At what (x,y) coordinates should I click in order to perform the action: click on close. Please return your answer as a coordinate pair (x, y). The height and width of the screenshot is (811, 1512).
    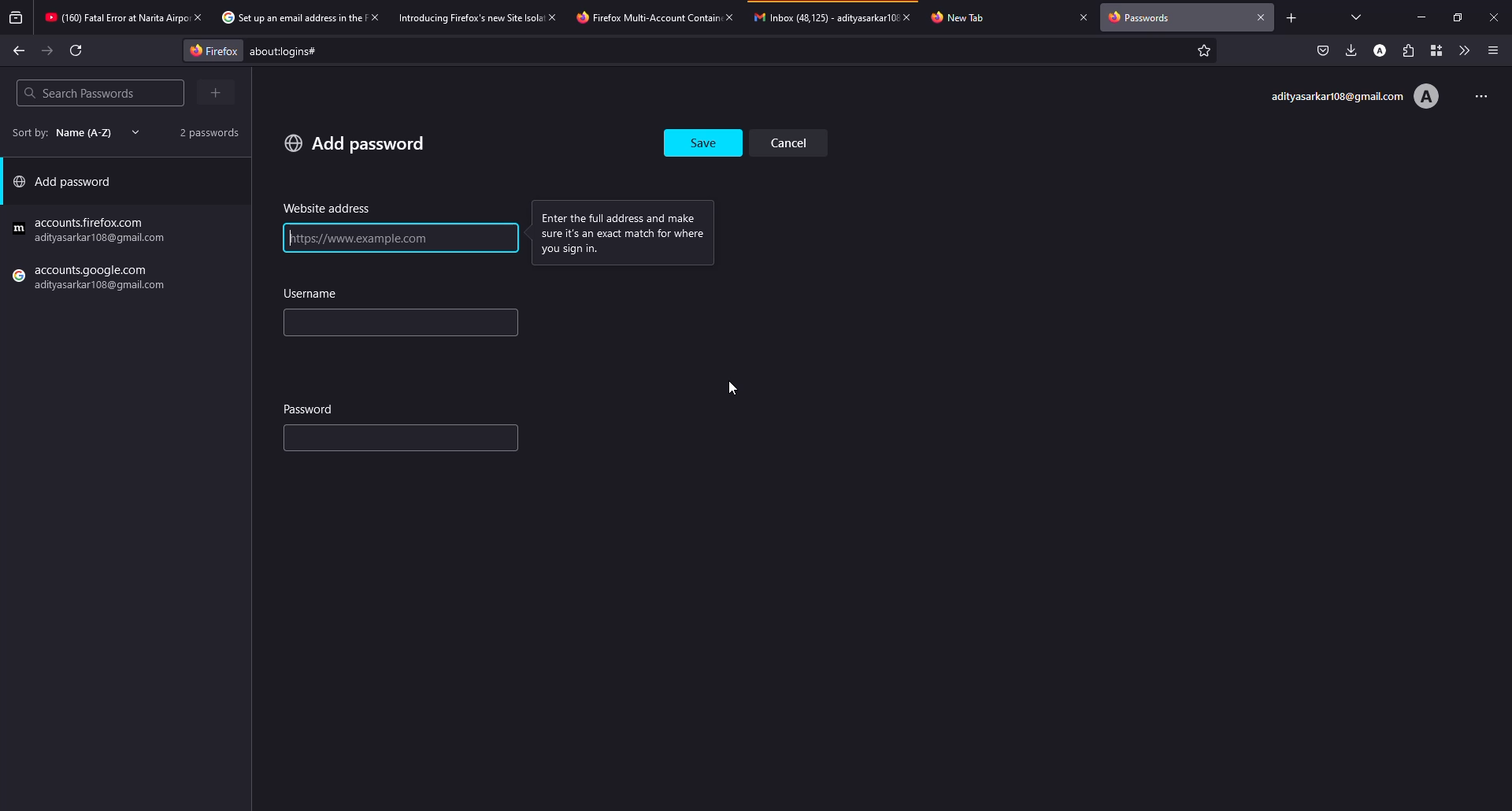
    Looking at the image, I should click on (1084, 17).